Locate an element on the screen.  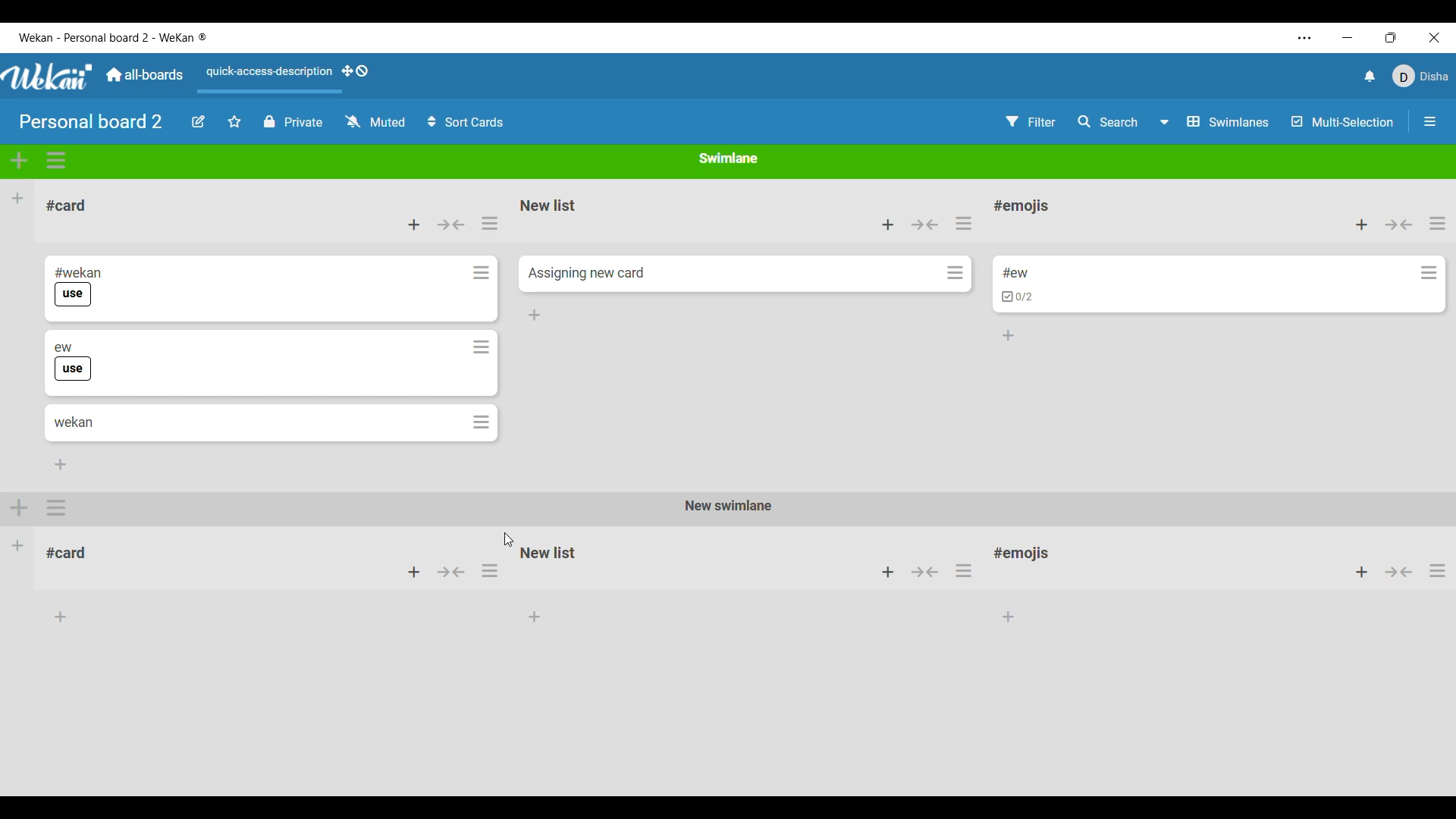
actions is located at coordinates (491, 224).